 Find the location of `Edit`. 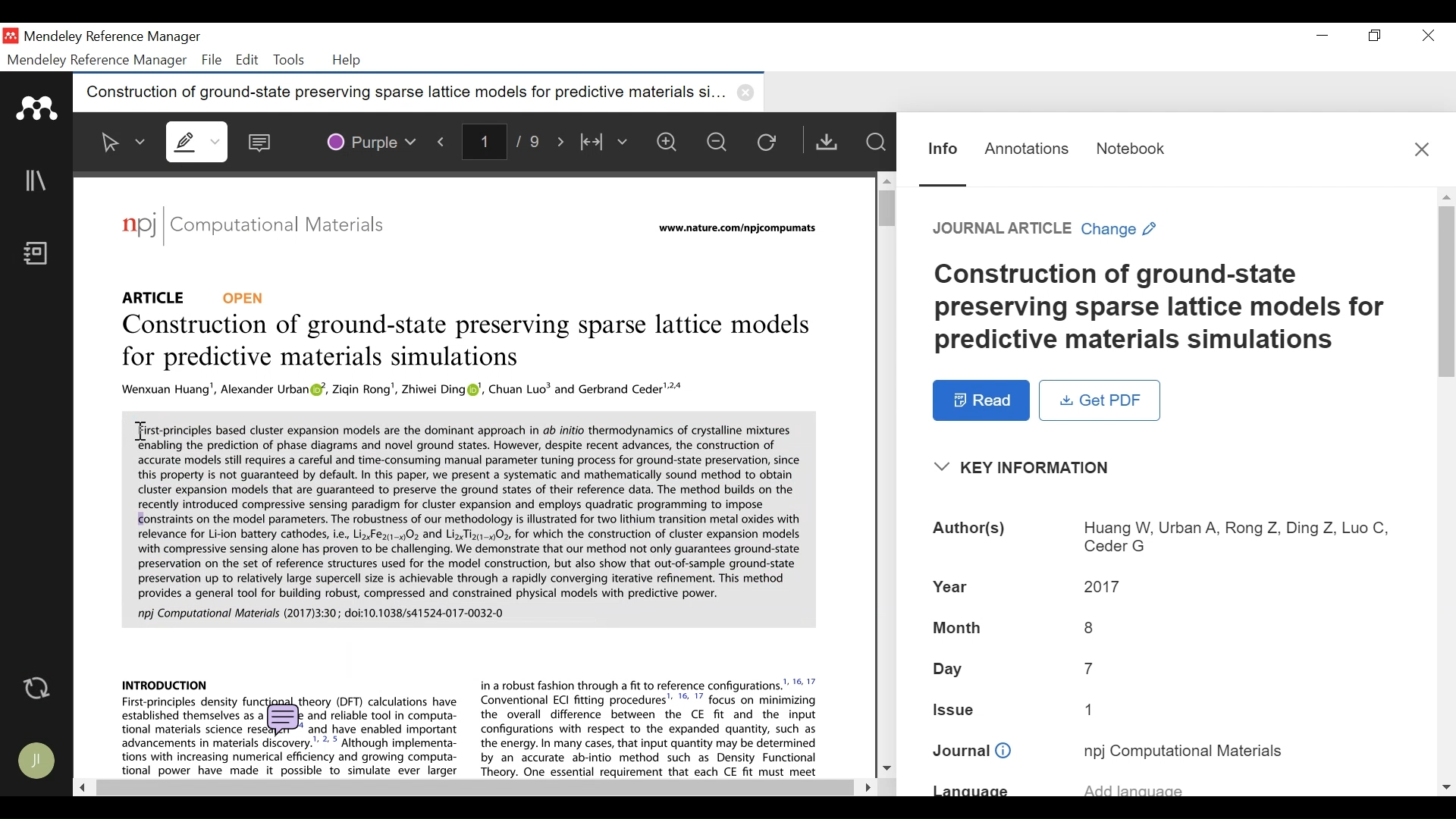

Edit is located at coordinates (245, 60).